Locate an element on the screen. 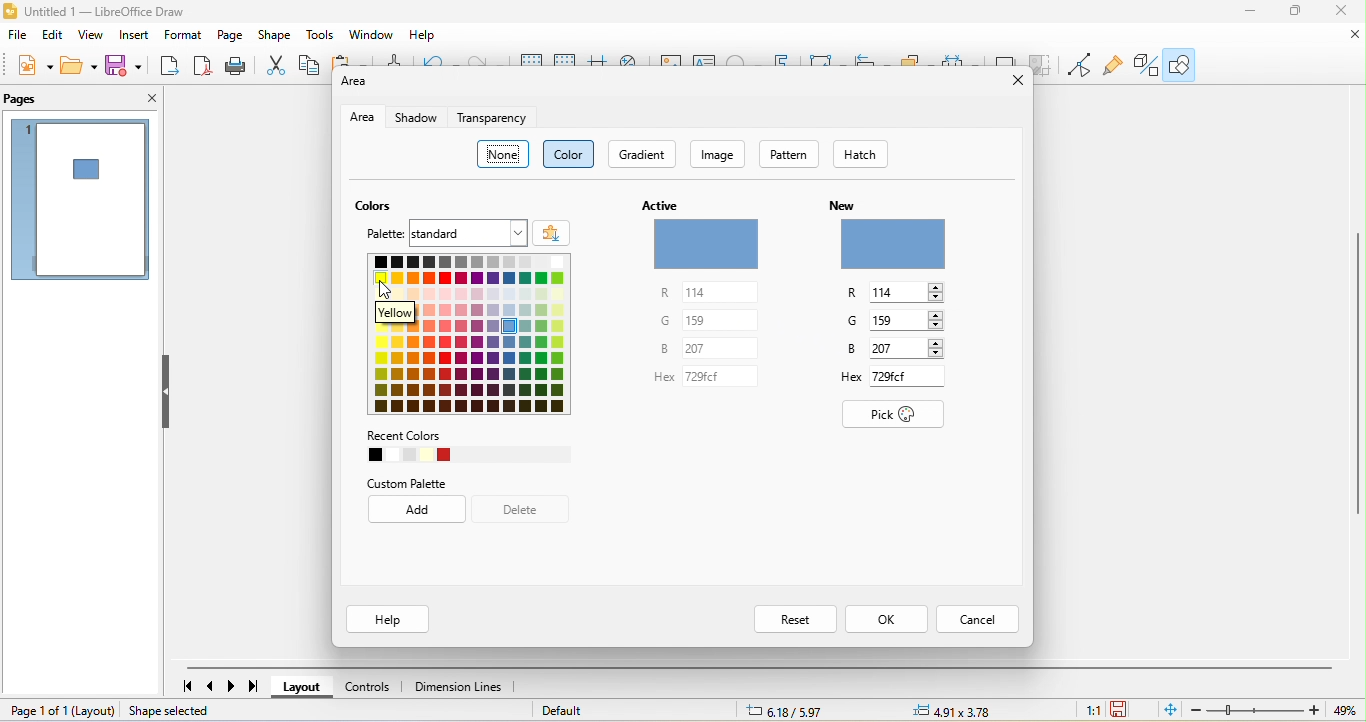  transparency is located at coordinates (494, 117).